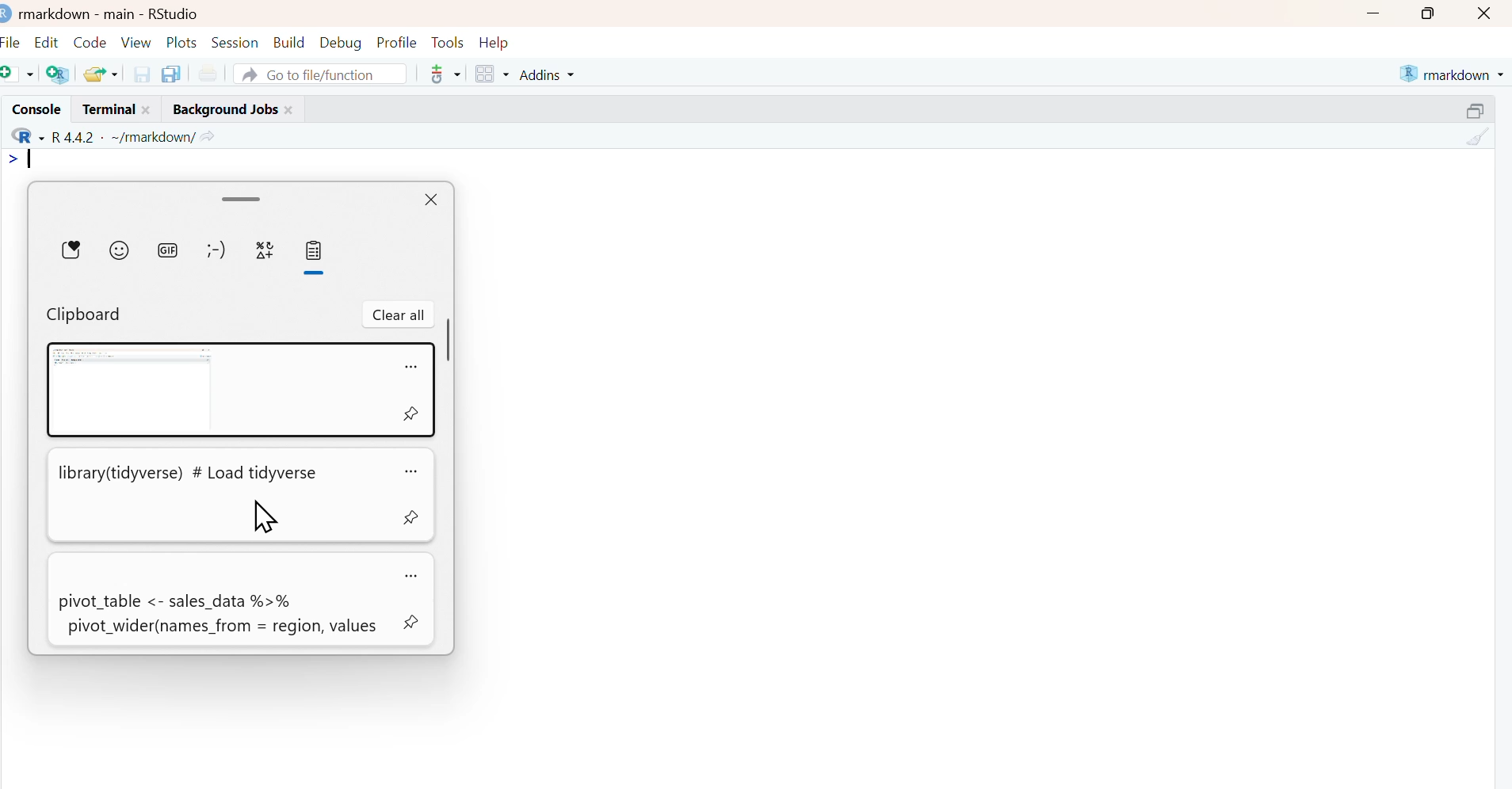  I want to click on Clipboard, so click(86, 314).